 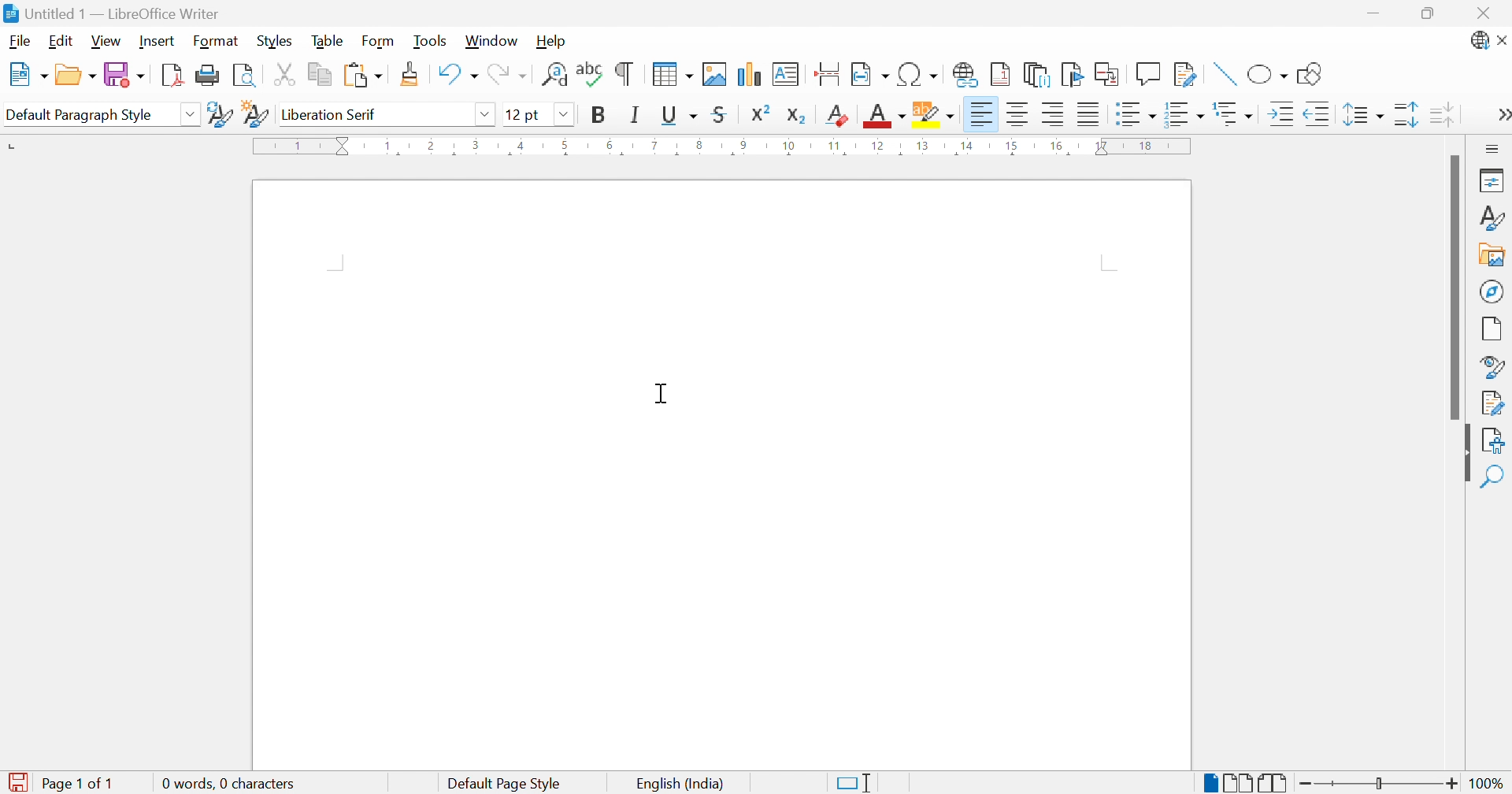 I want to click on Close, so click(x=1503, y=42).